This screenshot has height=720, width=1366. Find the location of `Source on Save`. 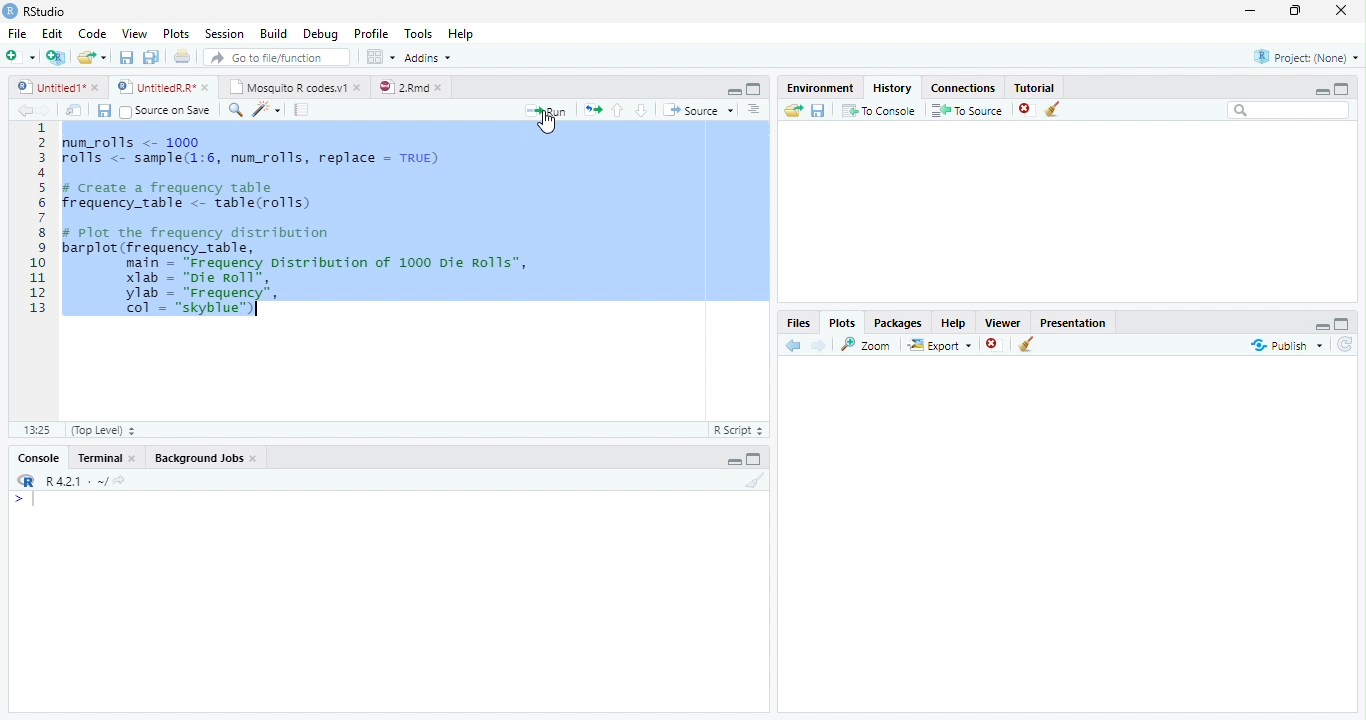

Source on Save is located at coordinates (165, 111).